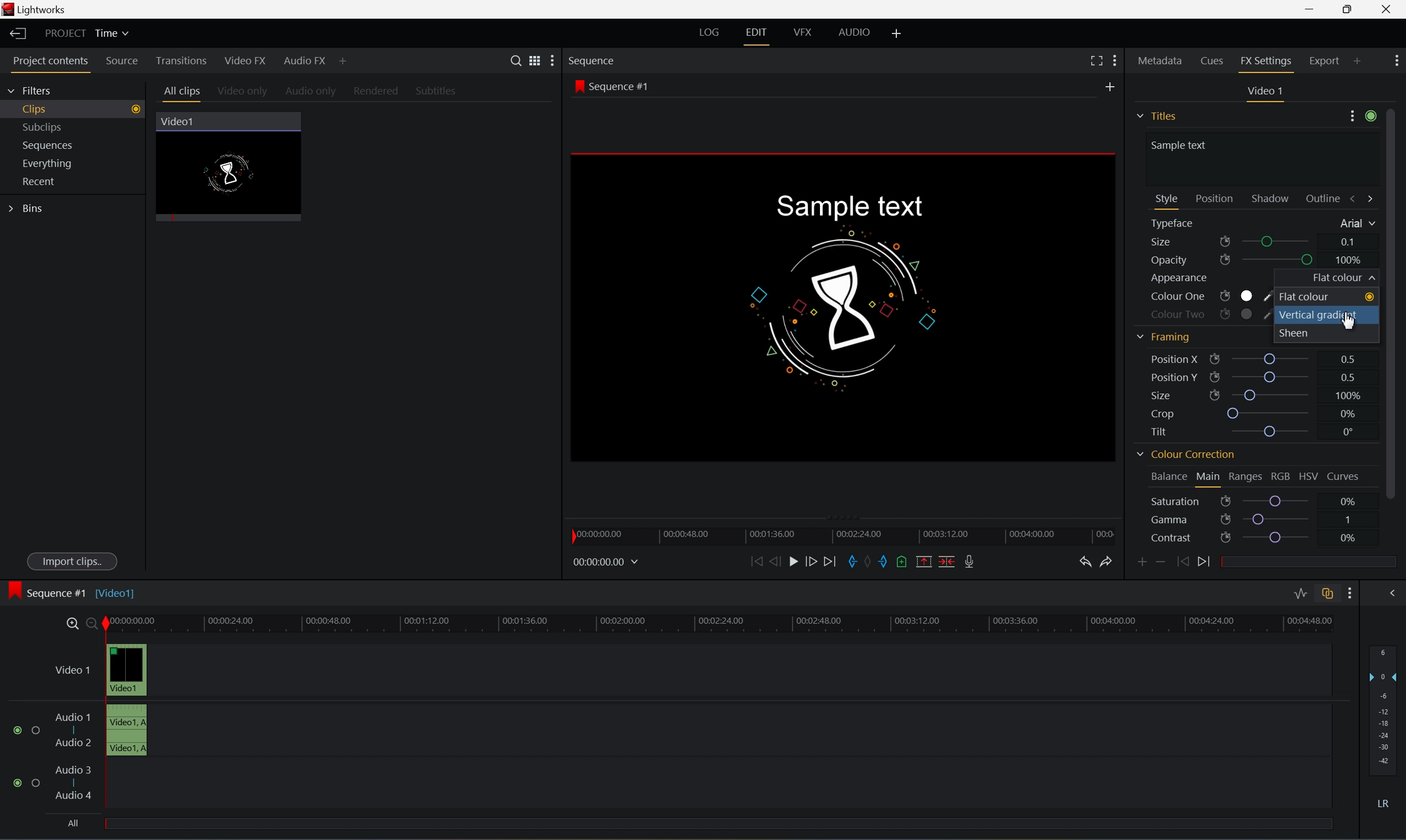 The image size is (1406, 840). What do you see at coordinates (183, 93) in the screenshot?
I see `all clips` at bounding box center [183, 93].